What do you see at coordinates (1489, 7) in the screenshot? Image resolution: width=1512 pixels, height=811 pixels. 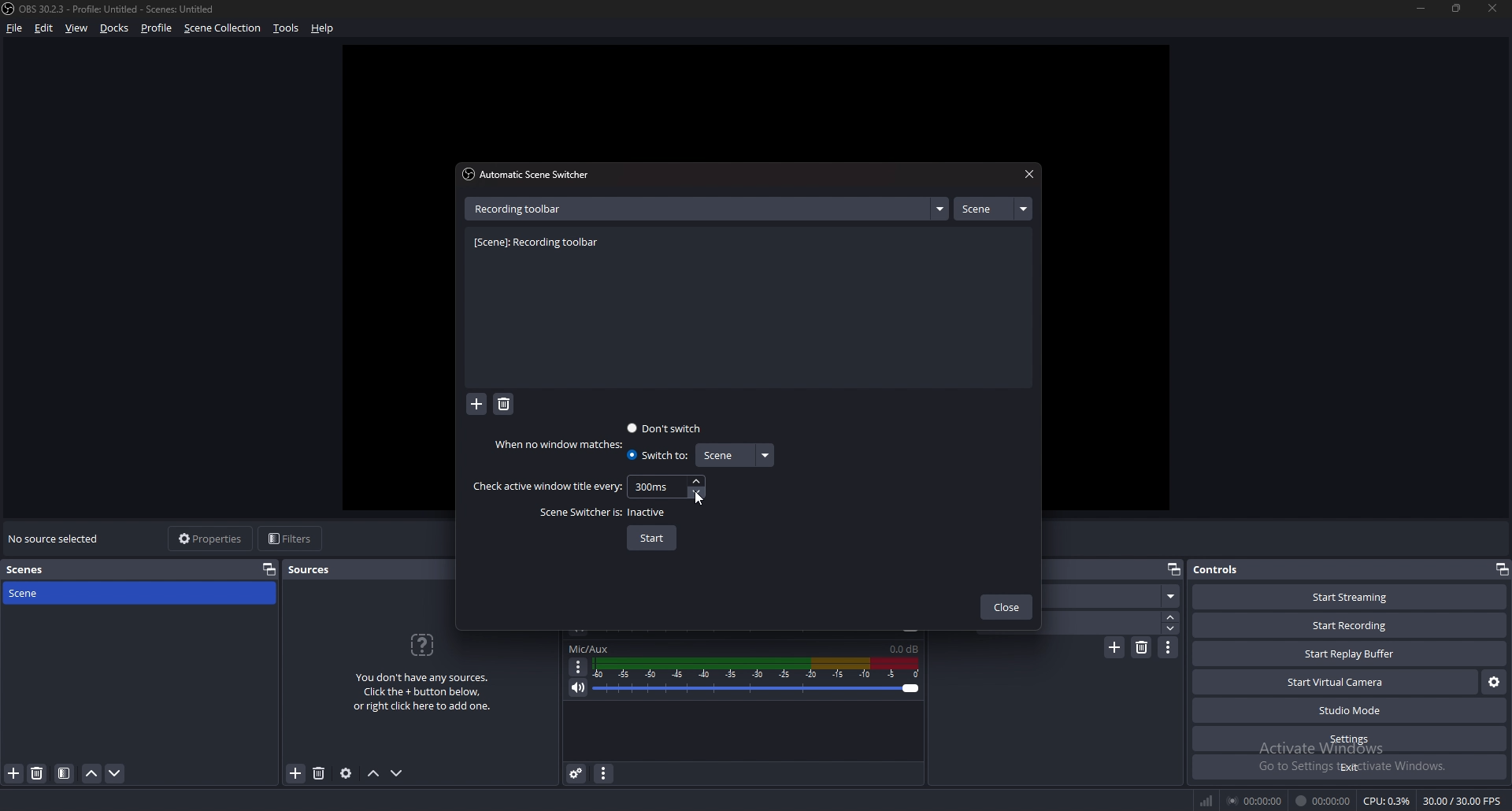 I see `close` at bounding box center [1489, 7].